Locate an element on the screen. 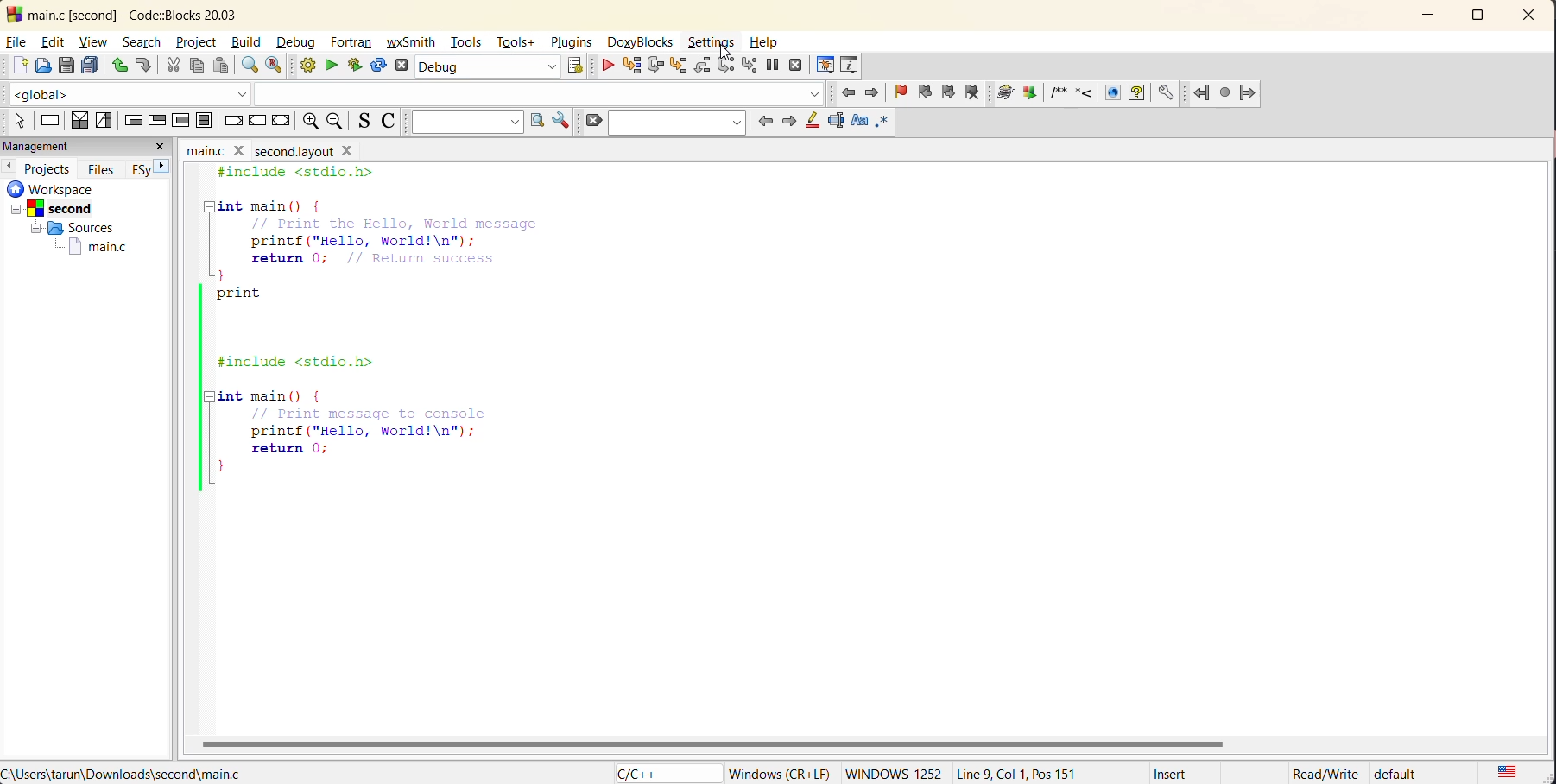 This screenshot has width=1556, height=784. jump forward is located at coordinates (873, 94).